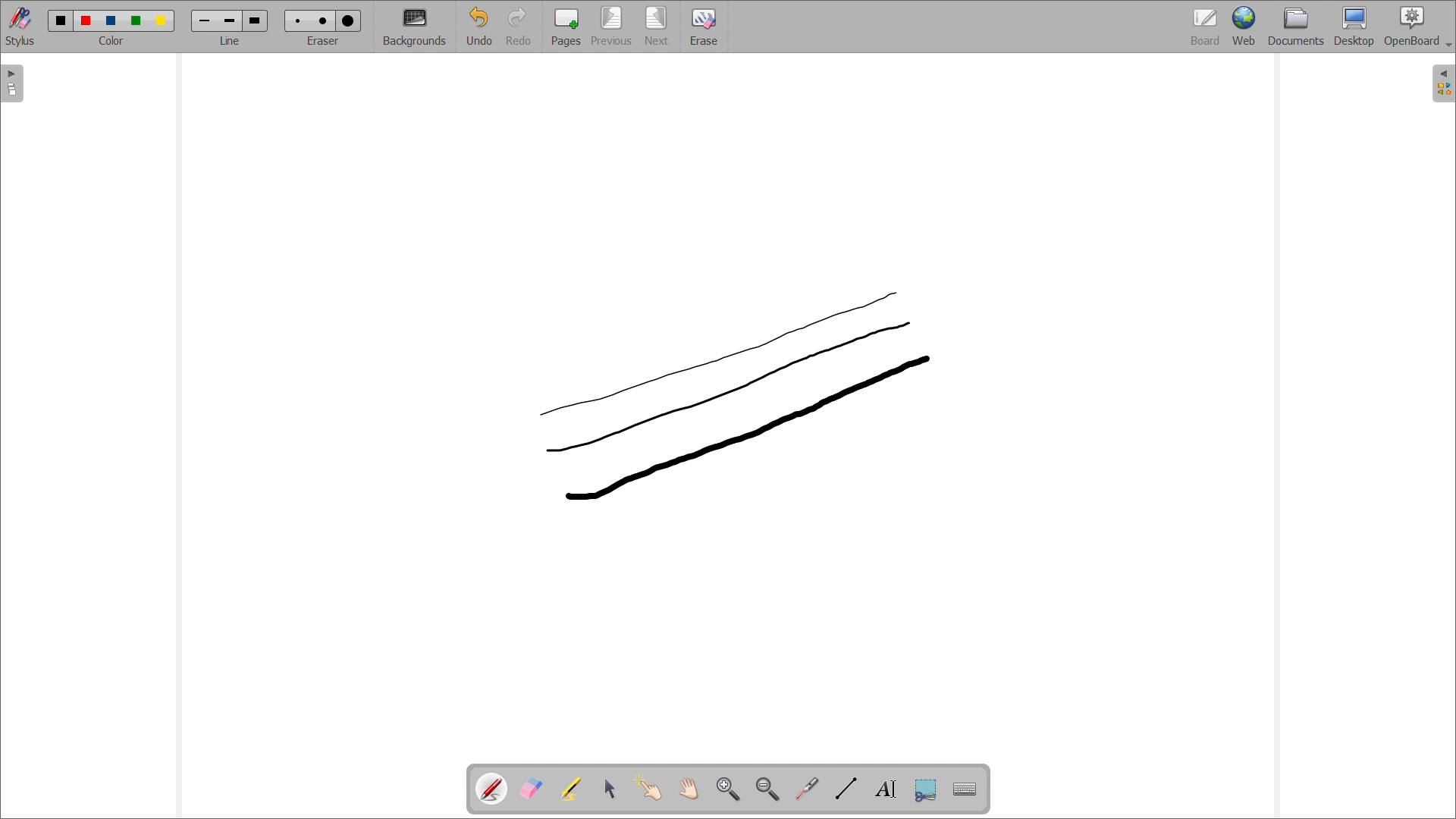 Image resolution: width=1456 pixels, height=819 pixels. Describe the element at coordinates (532, 789) in the screenshot. I see `erase annotations` at that location.